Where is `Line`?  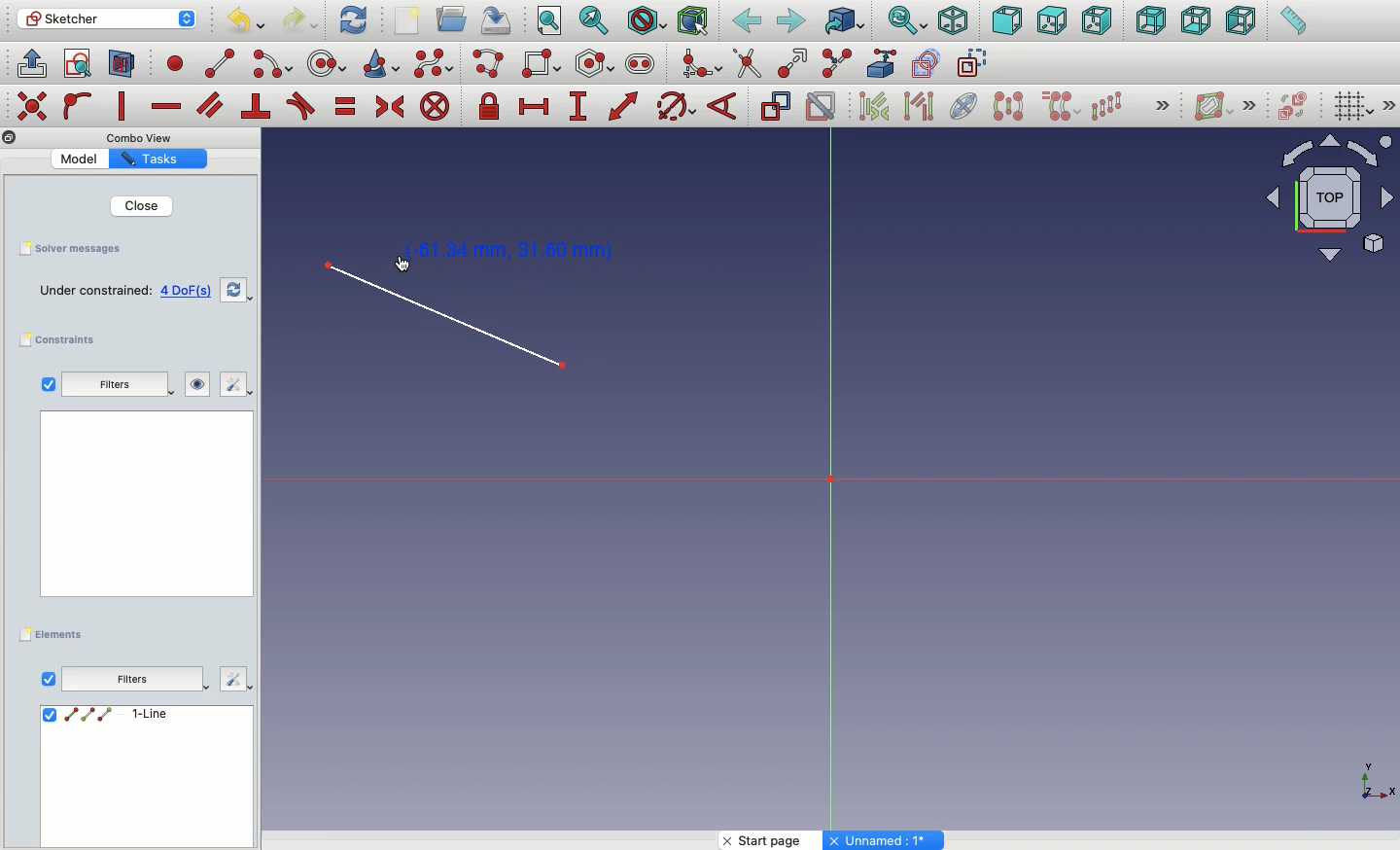 Line is located at coordinates (479, 332).